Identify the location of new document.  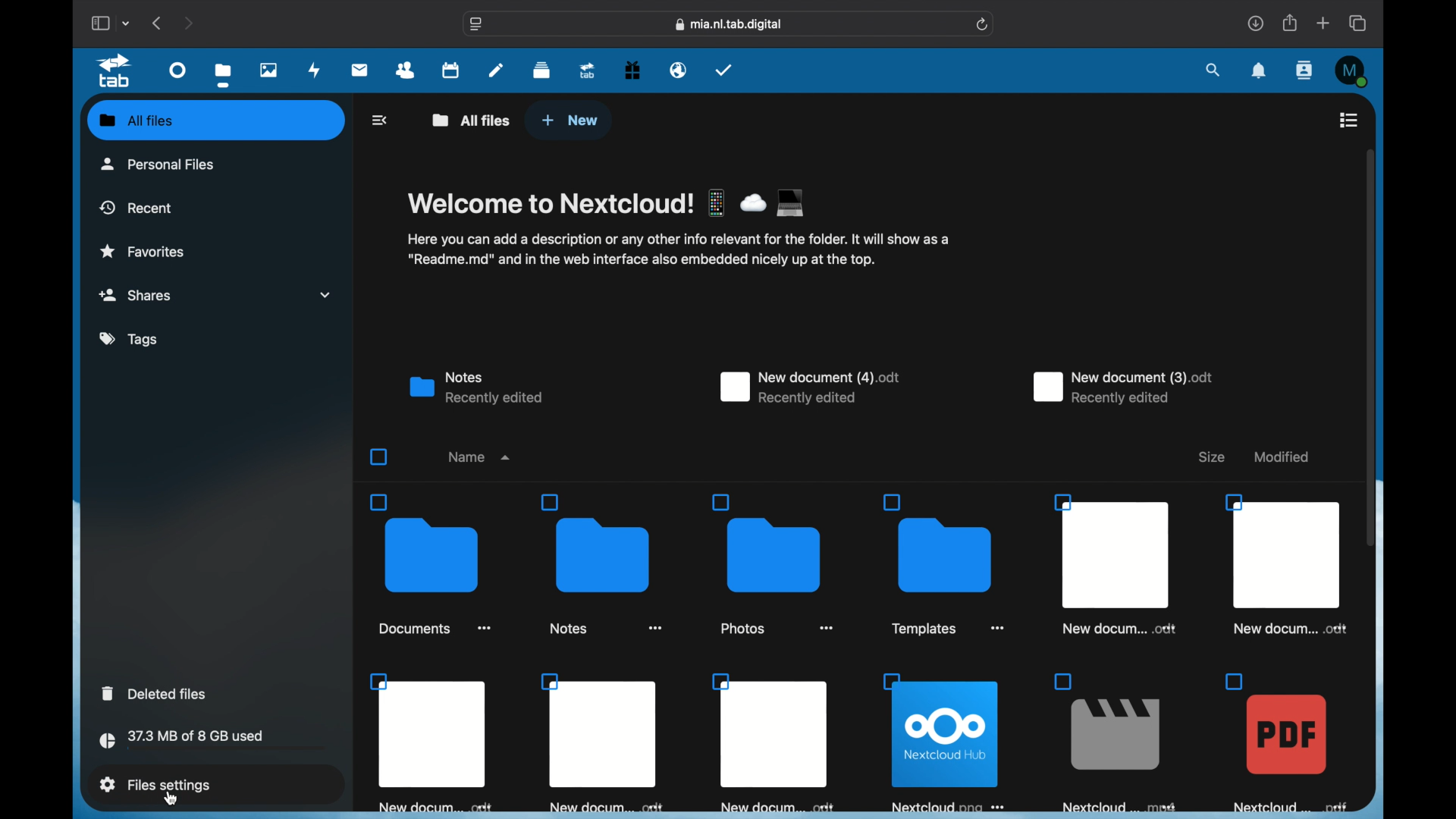
(809, 387).